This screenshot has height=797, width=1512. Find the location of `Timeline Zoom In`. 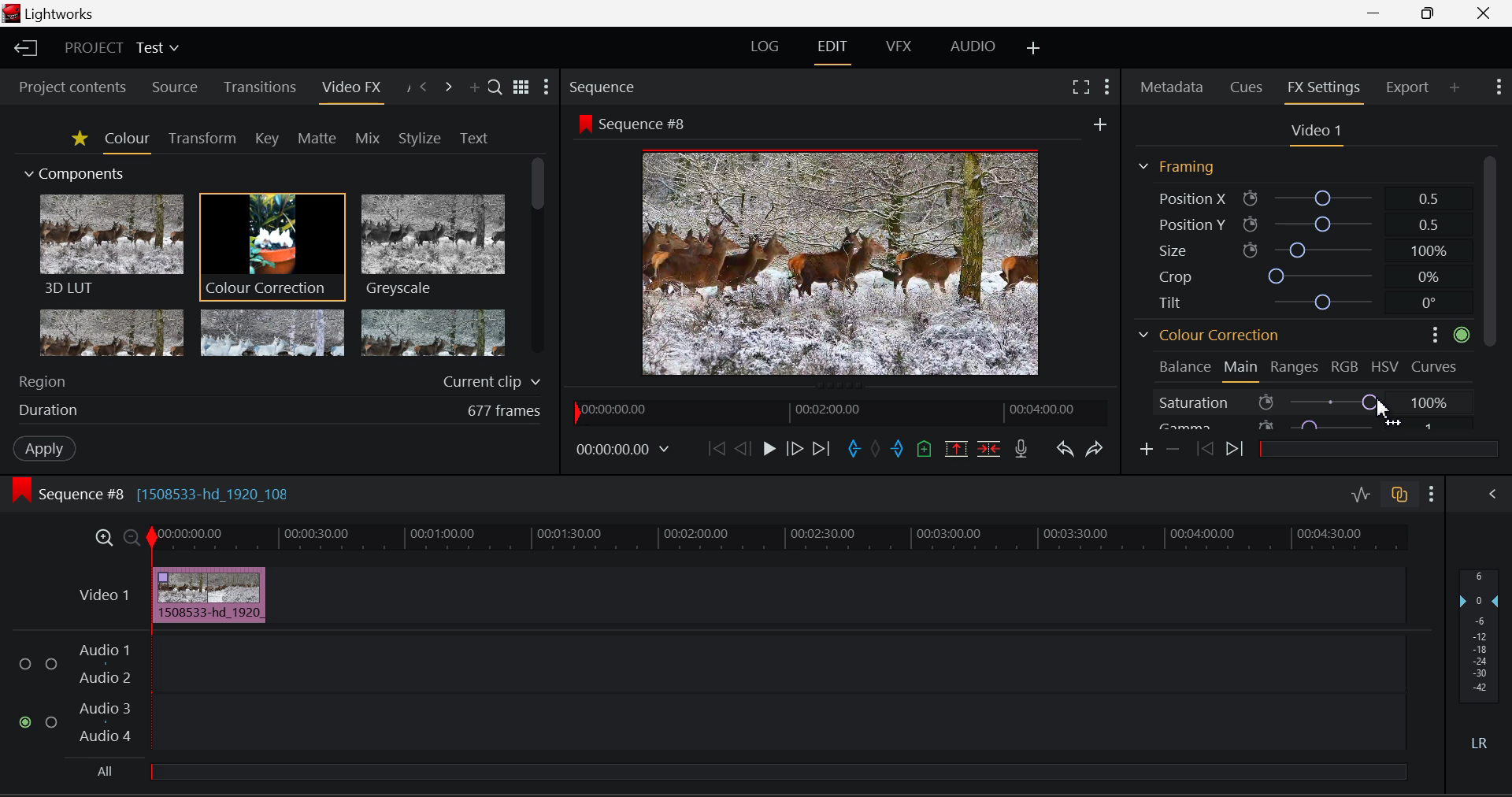

Timeline Zoom In is located at coordinates (103, 539).